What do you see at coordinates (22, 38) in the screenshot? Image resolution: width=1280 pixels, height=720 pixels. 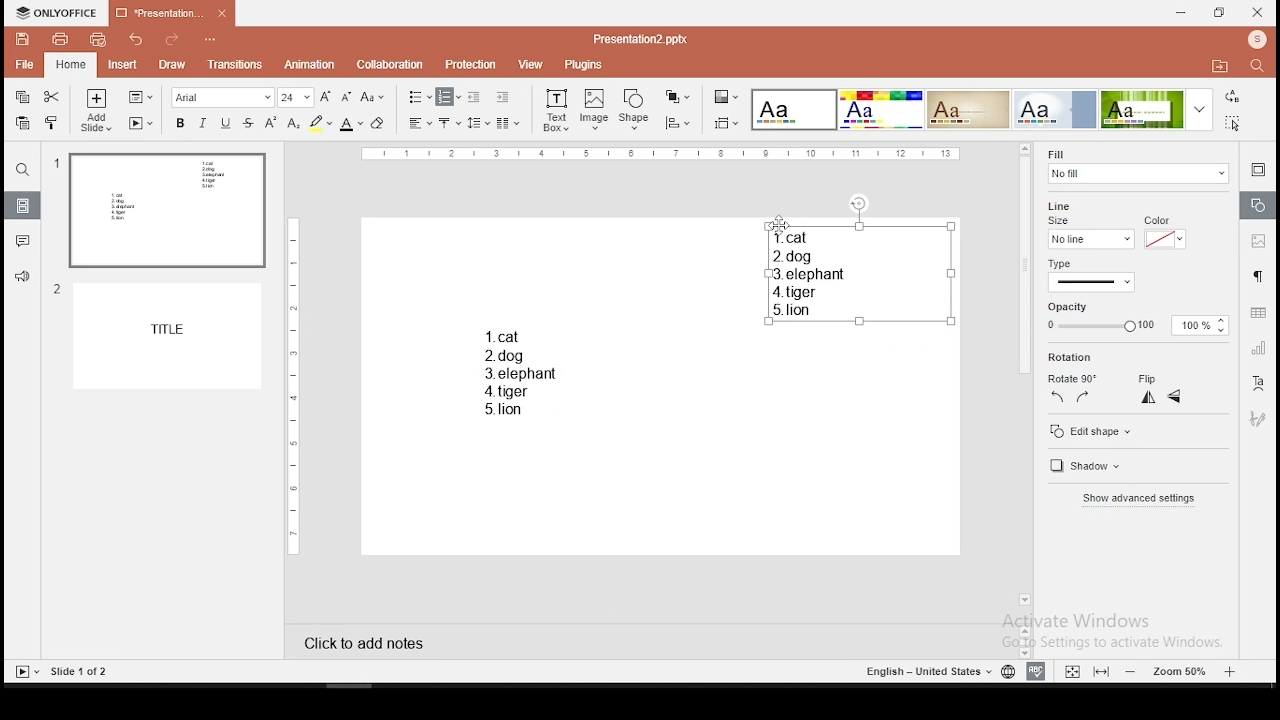 I see `save` at bounding box center [22, 38].